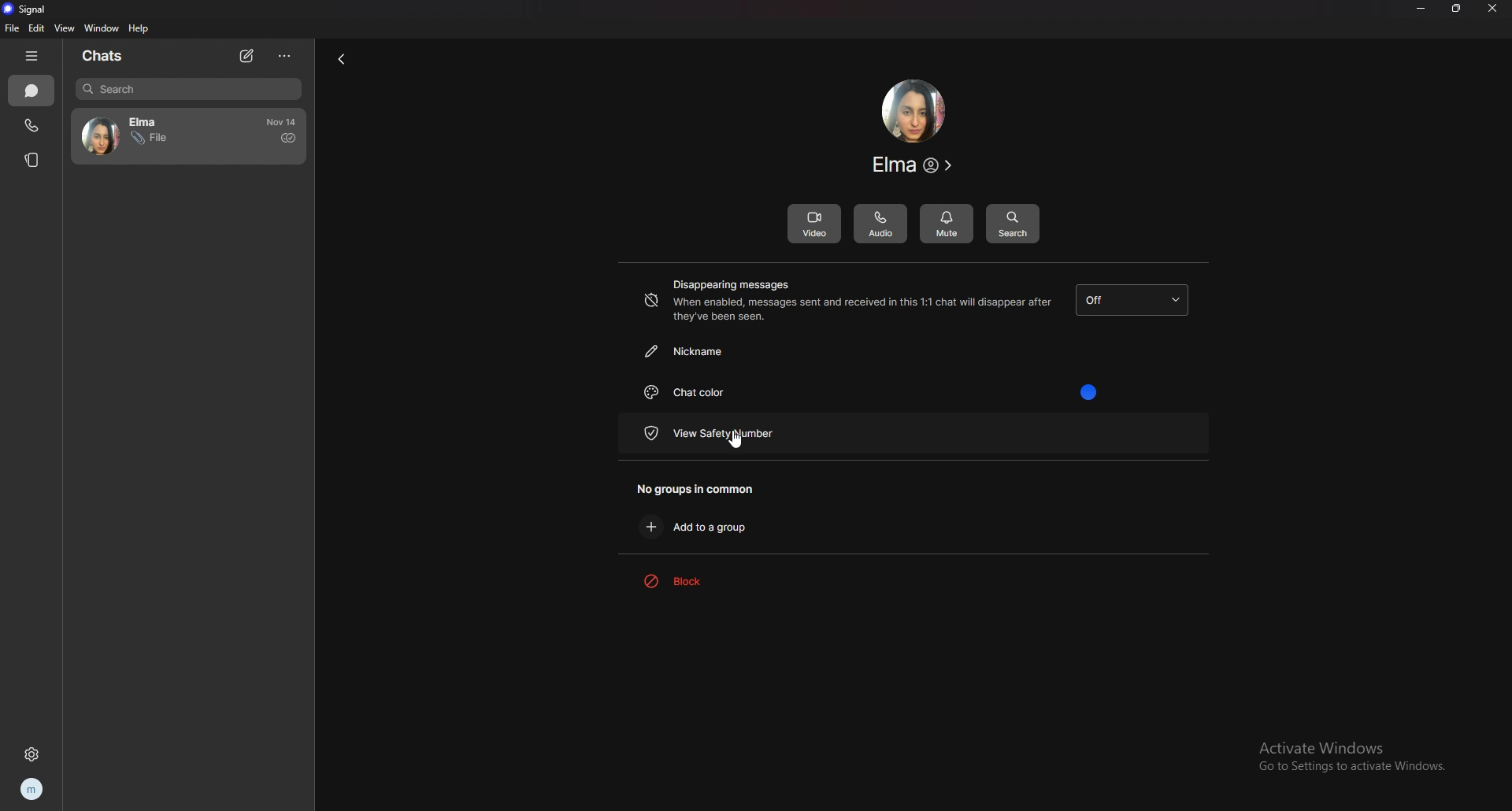 Image resolution: width=1512 pixels, height=811 pixels. Describe the element at coordinates (285, 55) in the screenshot. I see `options` at that location.